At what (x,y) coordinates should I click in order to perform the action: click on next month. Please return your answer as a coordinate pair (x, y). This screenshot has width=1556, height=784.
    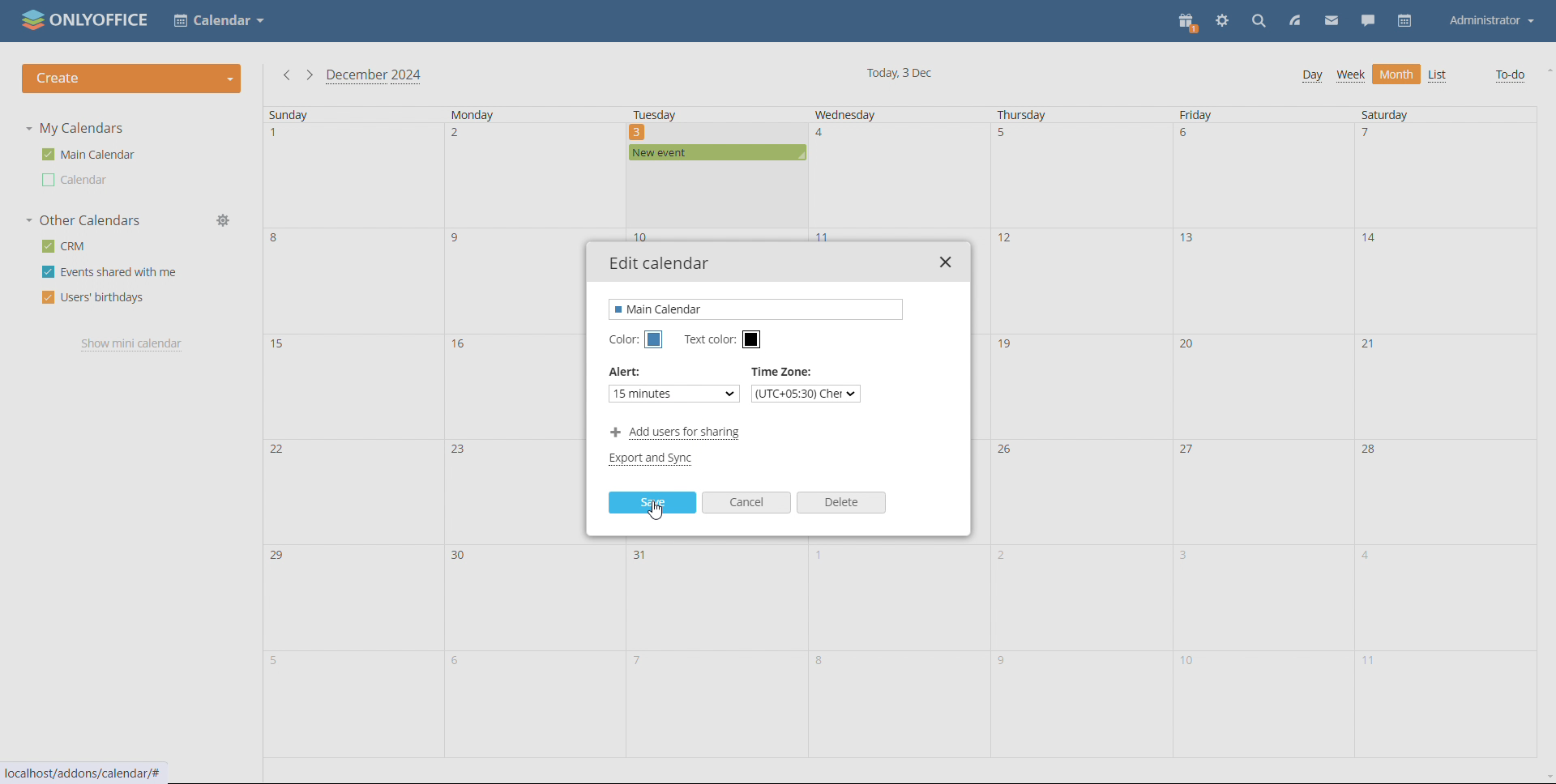
    Looking at the image, I should click on (309, 75).